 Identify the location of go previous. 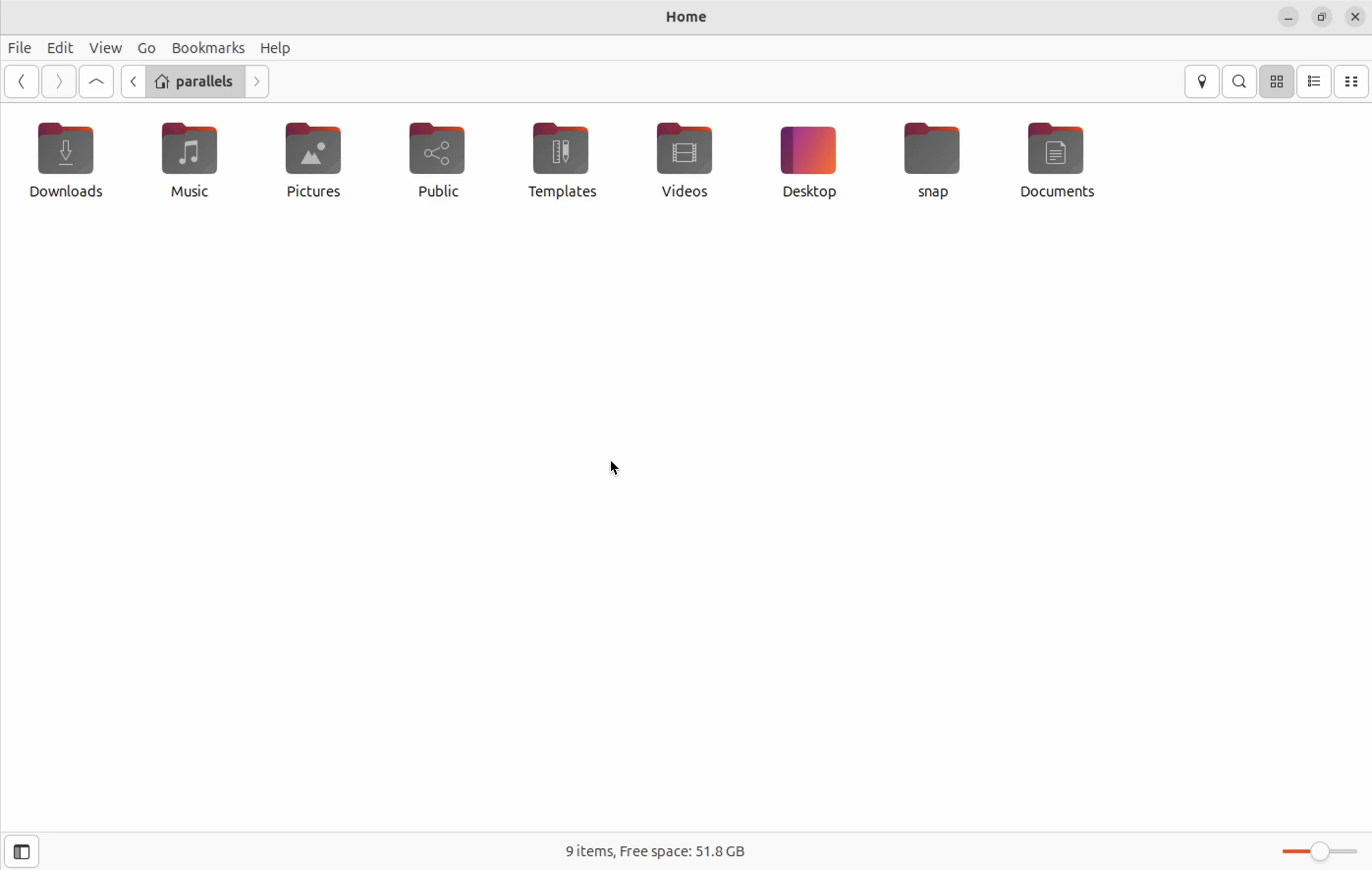
(27, 81).